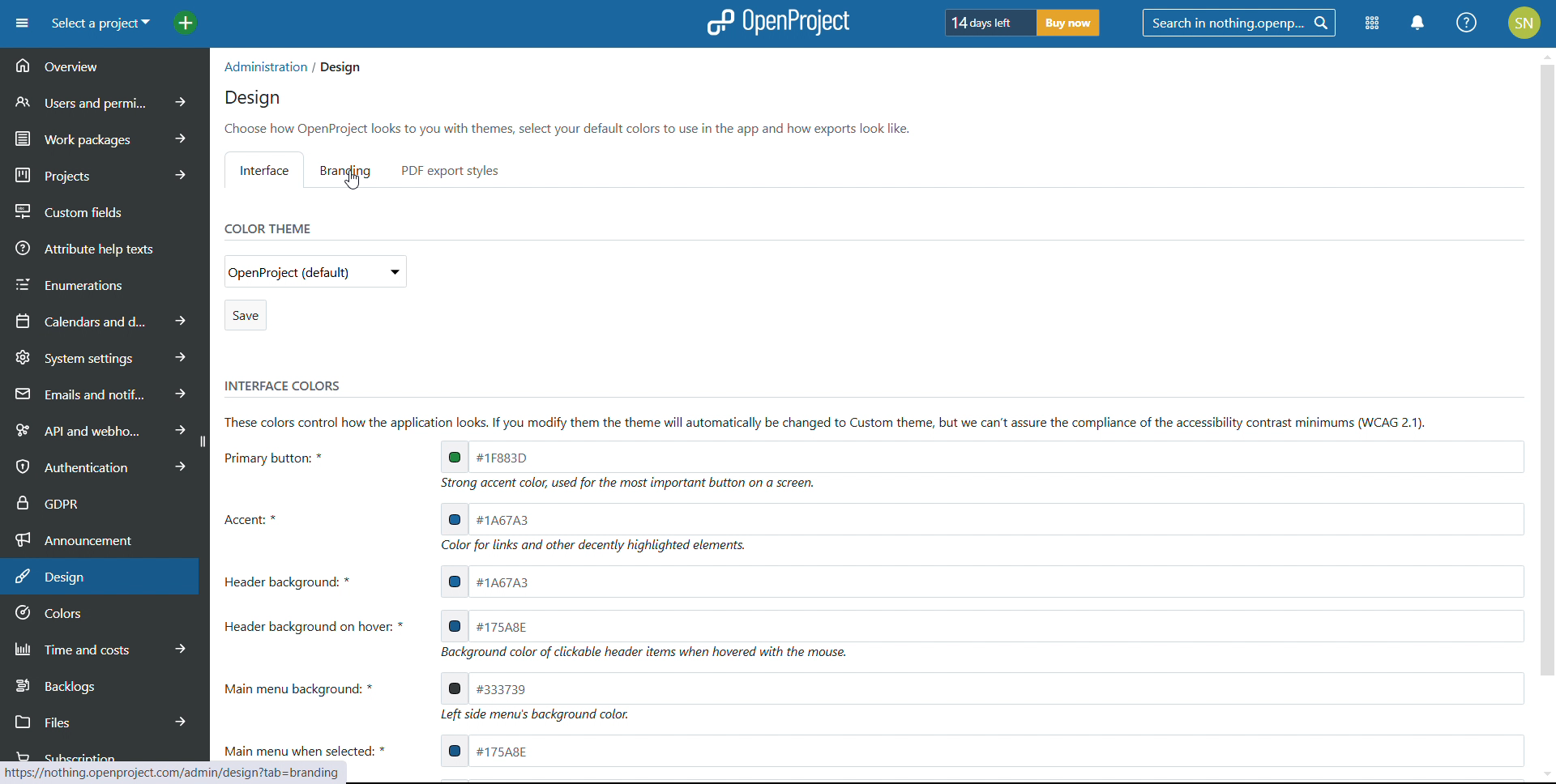  Describe the element at coordinates (981, 688) in the screenshot. I see `main menu background` at that location.